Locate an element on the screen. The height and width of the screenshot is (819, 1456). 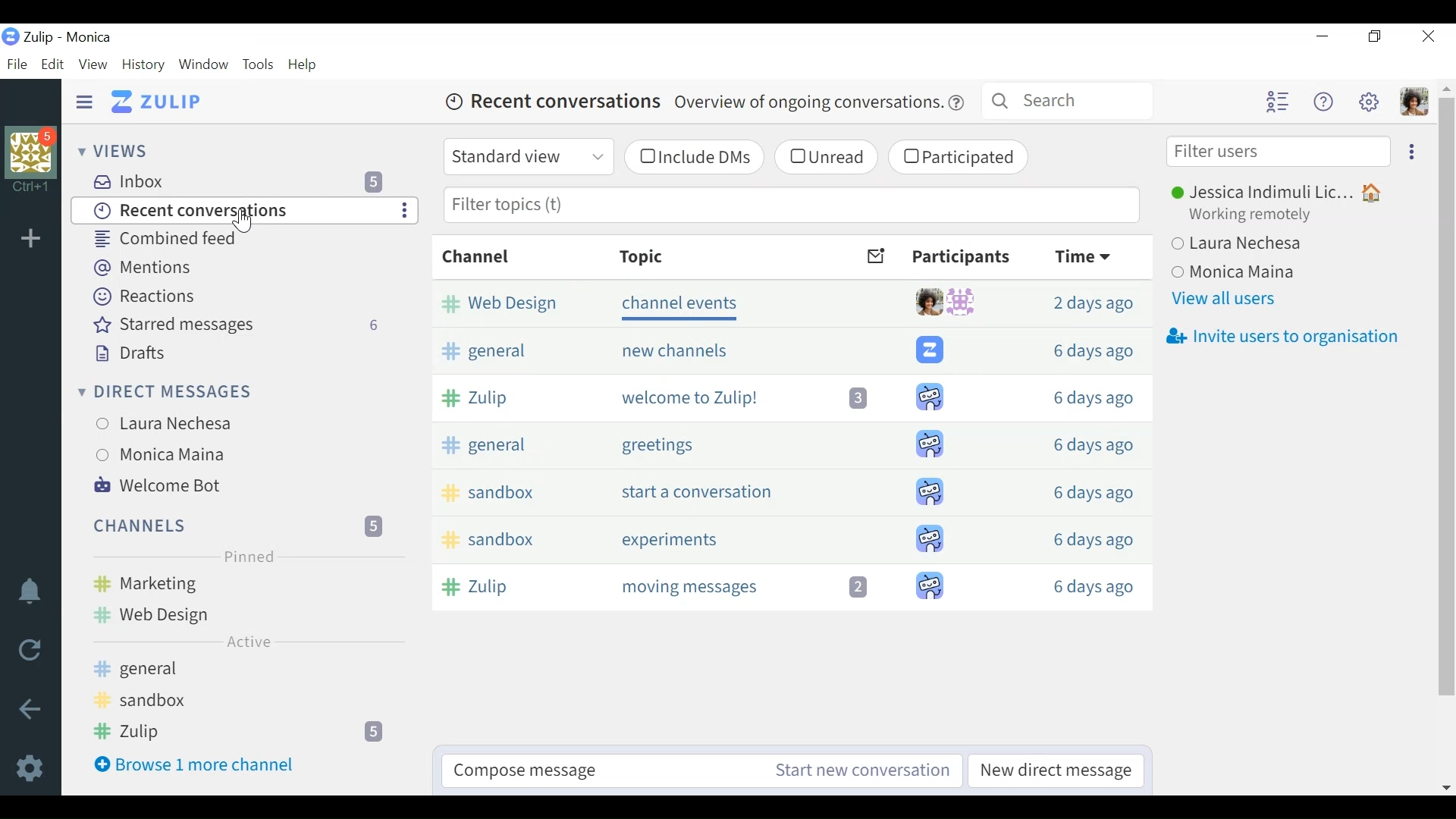
Inbox is located at coordinates (247, 180).